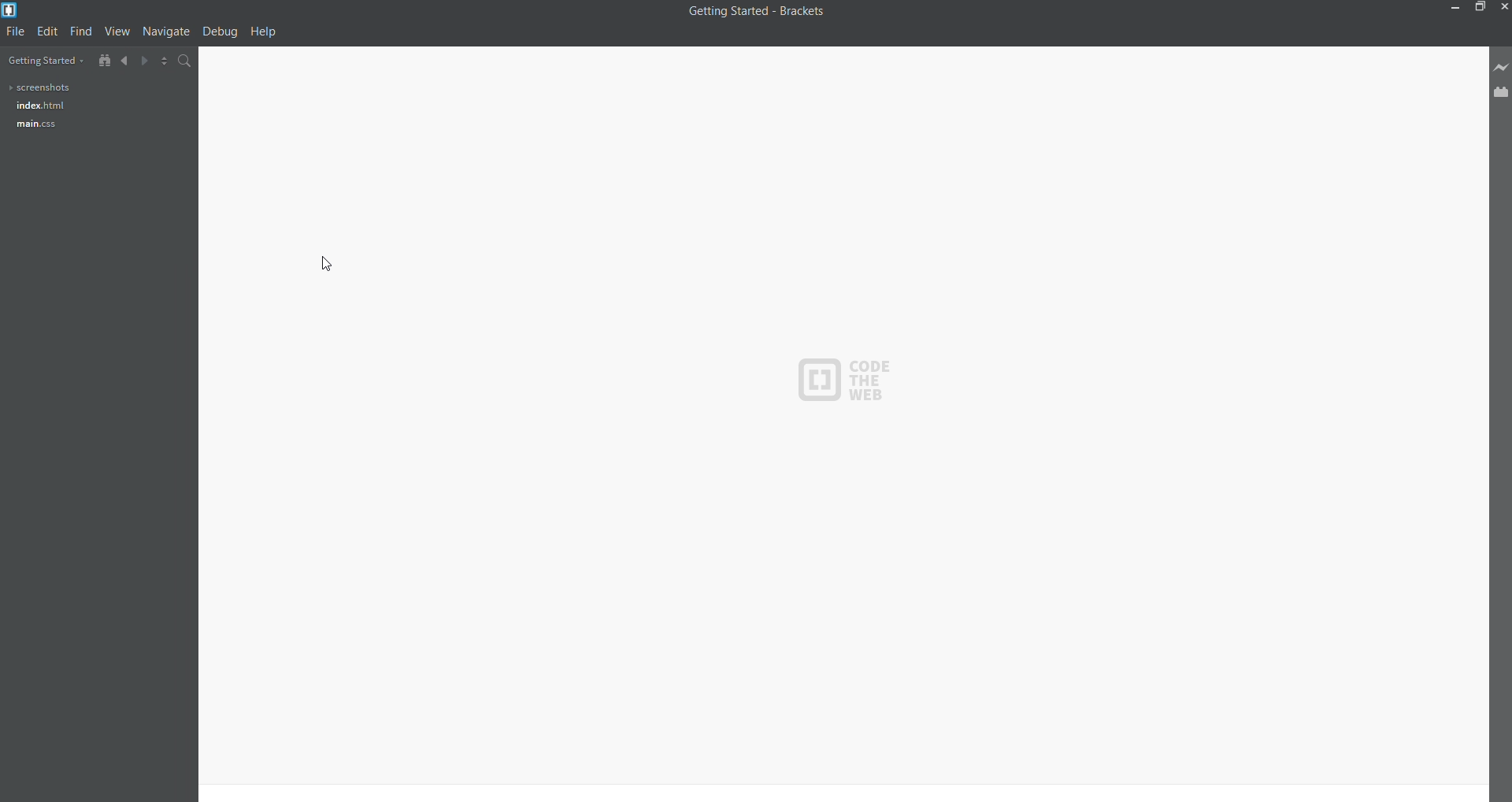 The width and height of the screenshot is (1512, 802). I want to click on forward, so click(138, 61).